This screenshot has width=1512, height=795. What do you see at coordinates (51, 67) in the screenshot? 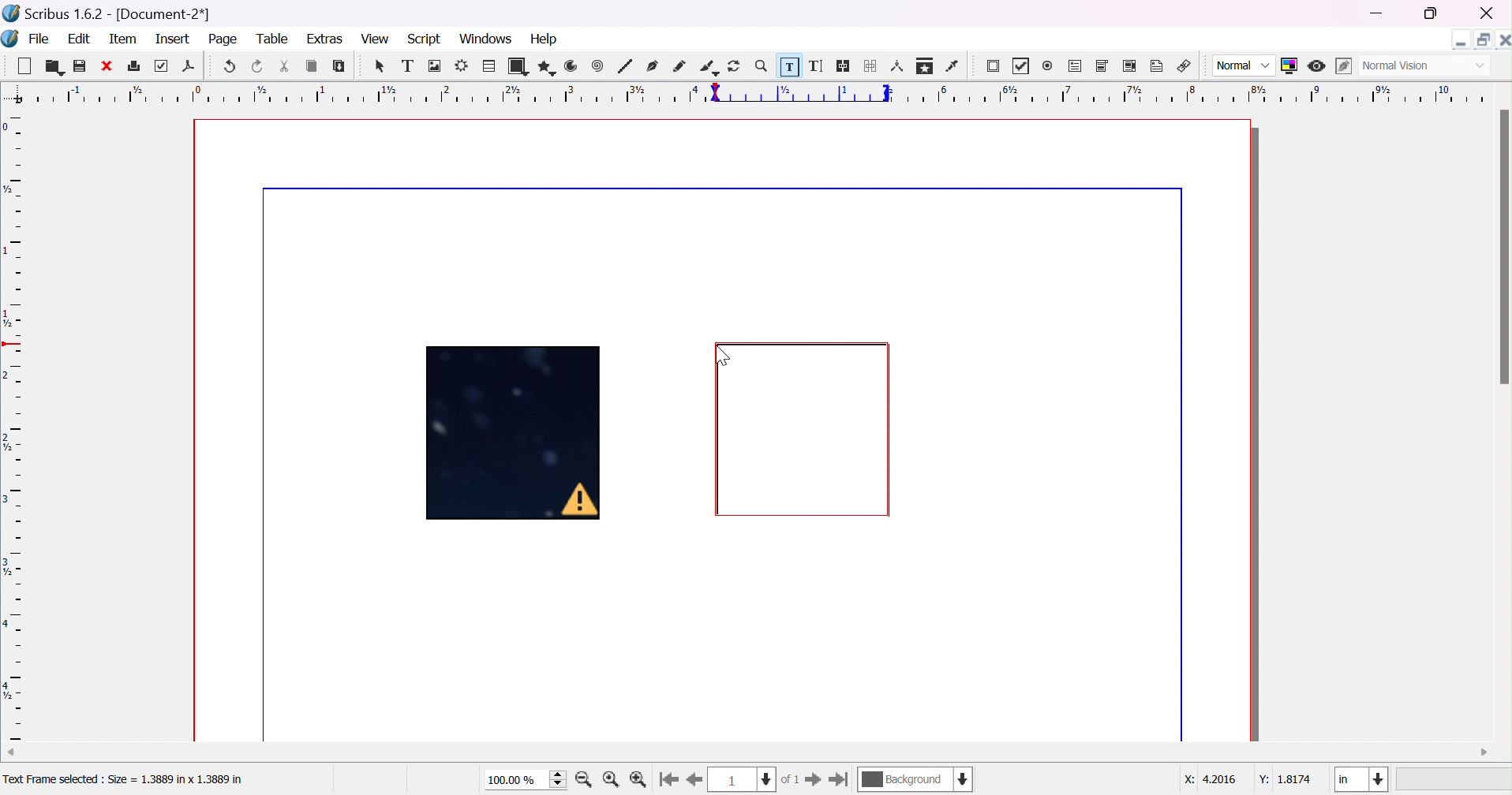
I see `open` at bounding box center [51, 67].